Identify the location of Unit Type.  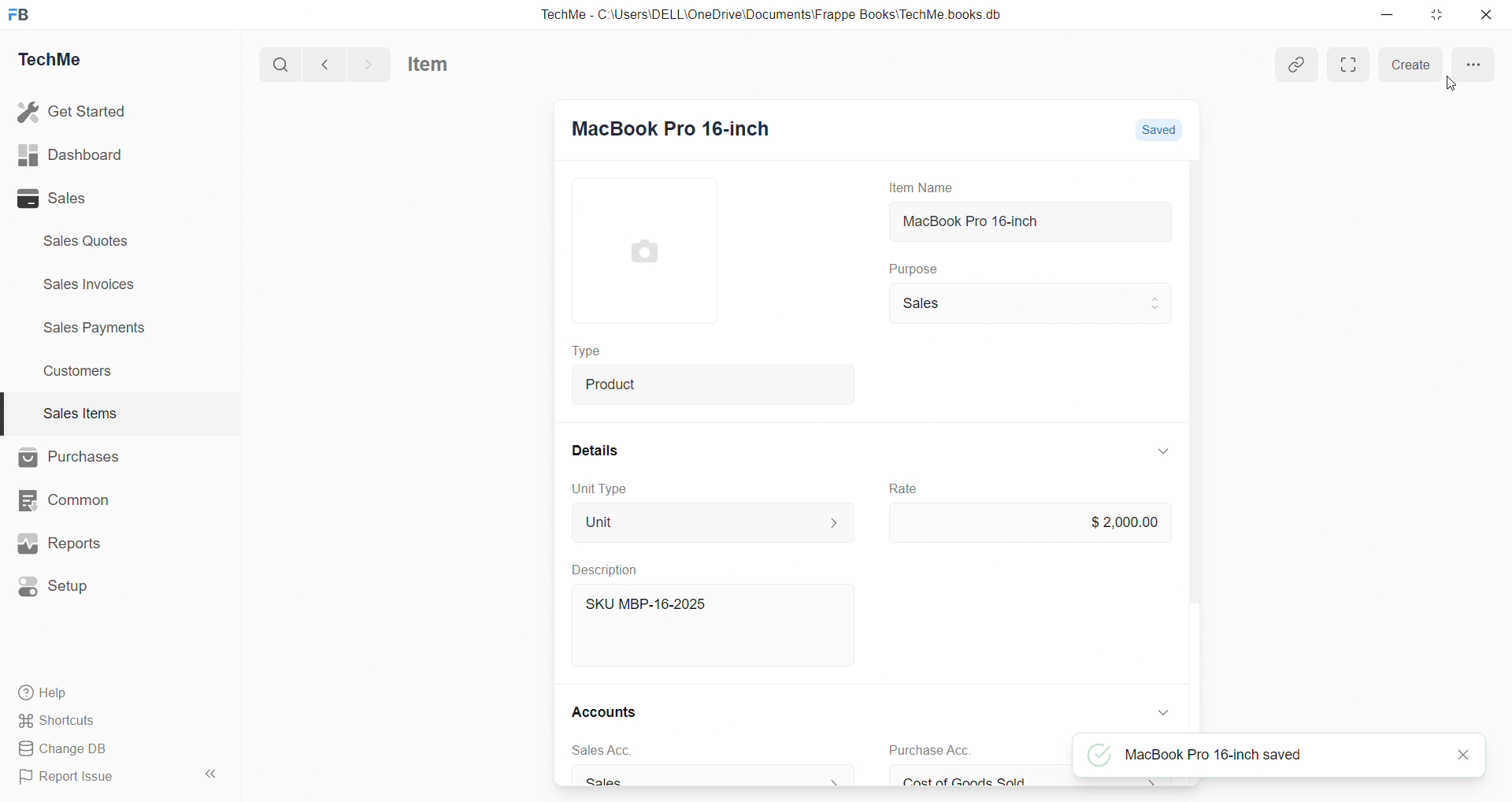
(600, 490).